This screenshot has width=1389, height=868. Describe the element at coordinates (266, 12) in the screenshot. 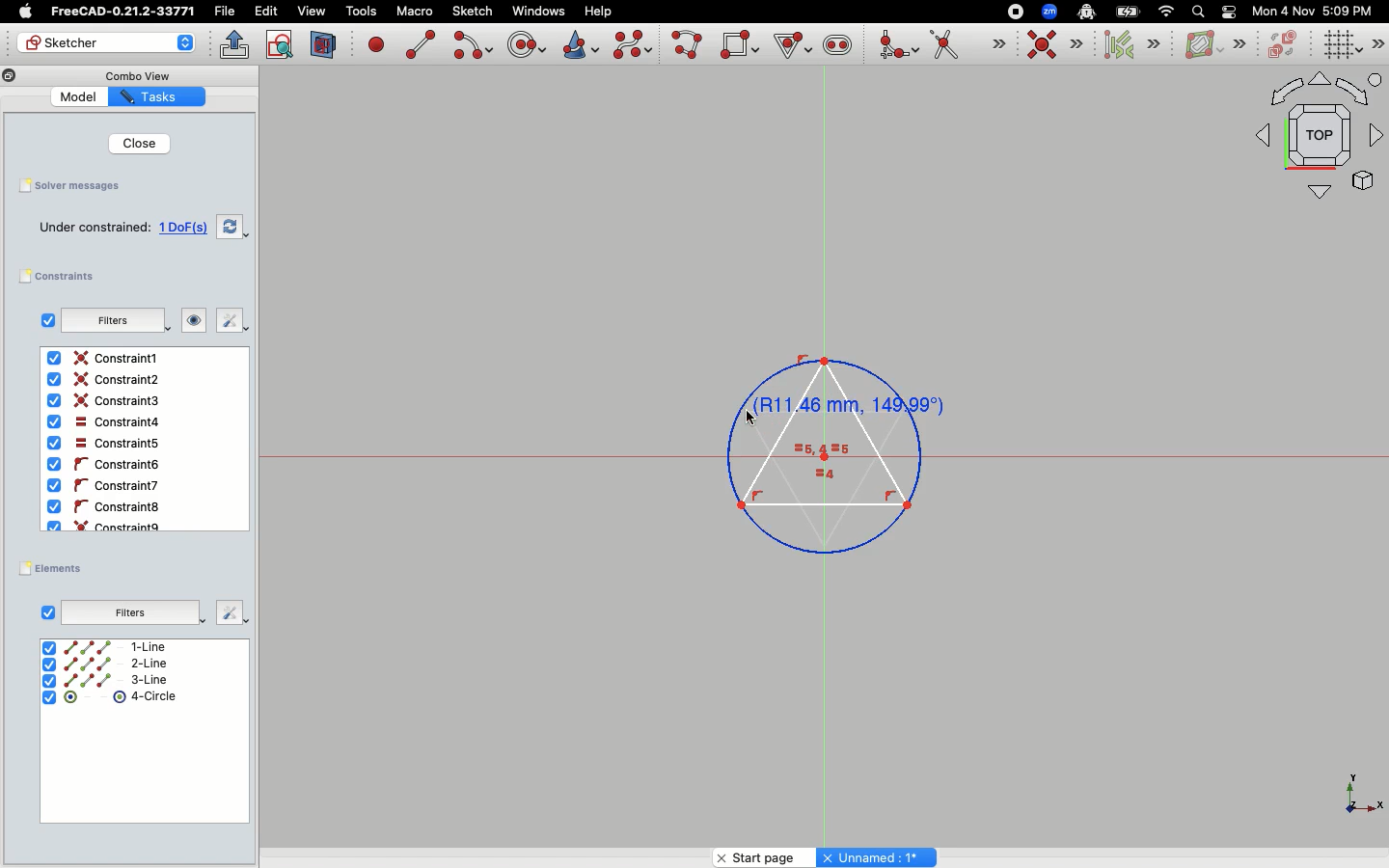

I see `Edit` at that location.